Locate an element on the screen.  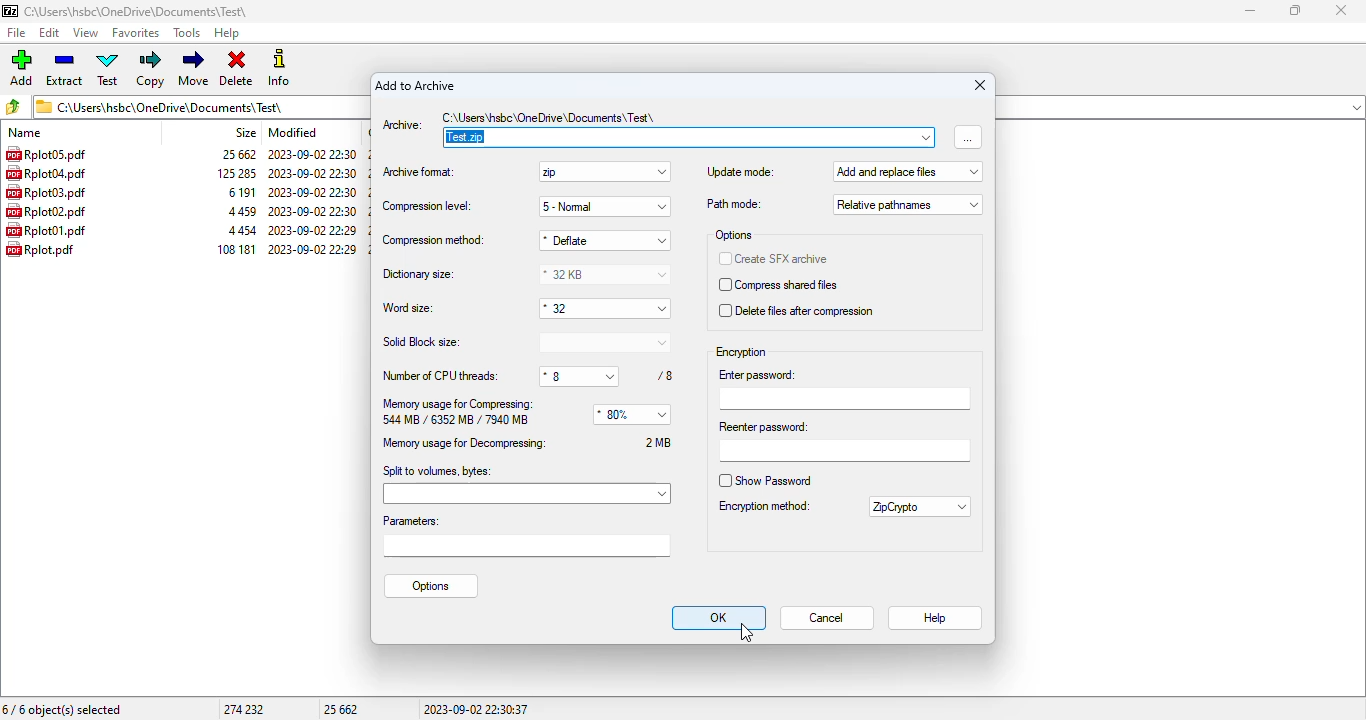
544 MB / 6352 MB/ 7940 MB is located at coordinates (455, 420).